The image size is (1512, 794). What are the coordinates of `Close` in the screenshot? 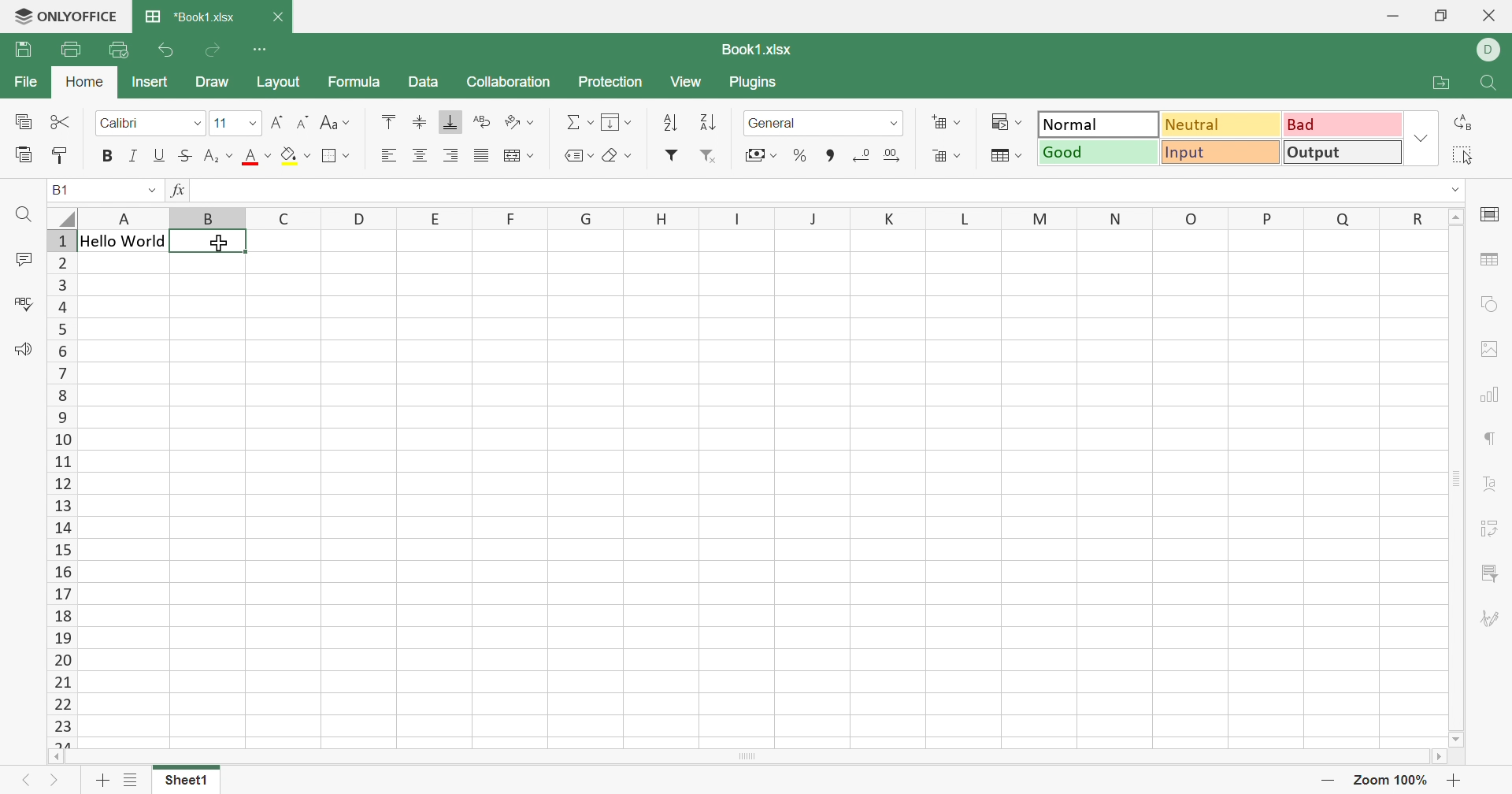 It's located at (279, 19).